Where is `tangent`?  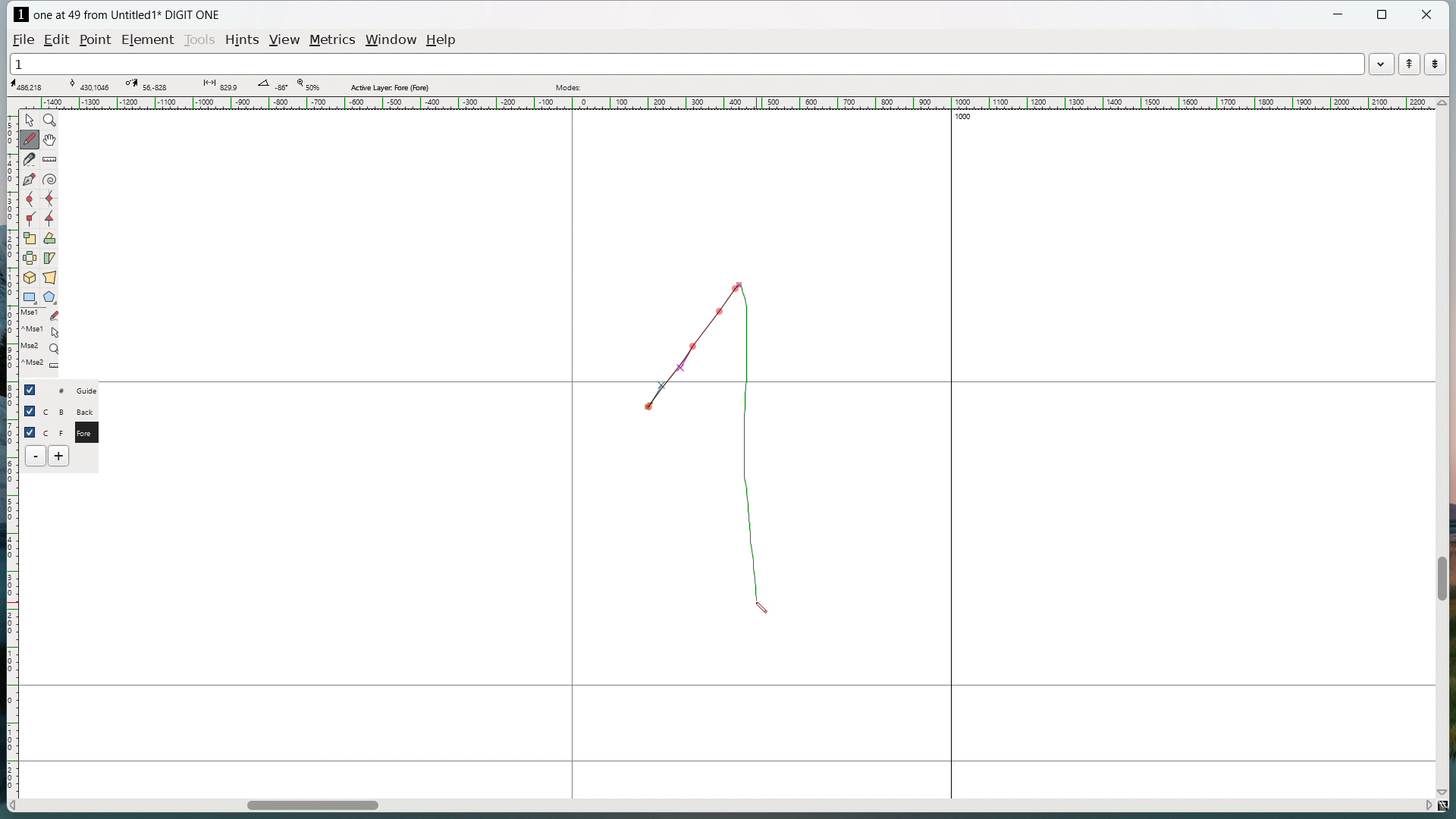
tangent is located at coordinates (89, 84).